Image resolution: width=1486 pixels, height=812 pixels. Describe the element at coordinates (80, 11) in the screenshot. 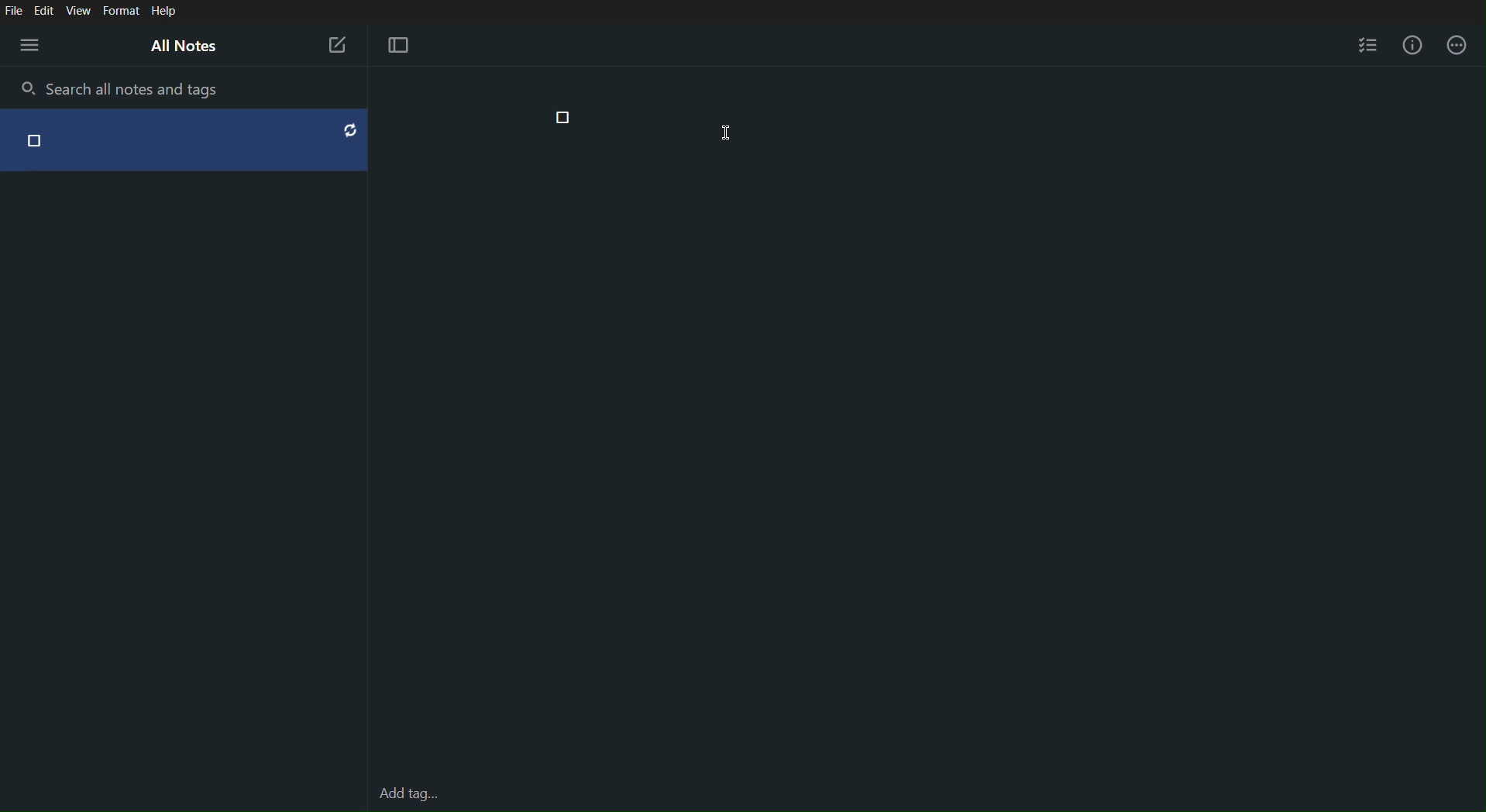

I see `View` at that location.